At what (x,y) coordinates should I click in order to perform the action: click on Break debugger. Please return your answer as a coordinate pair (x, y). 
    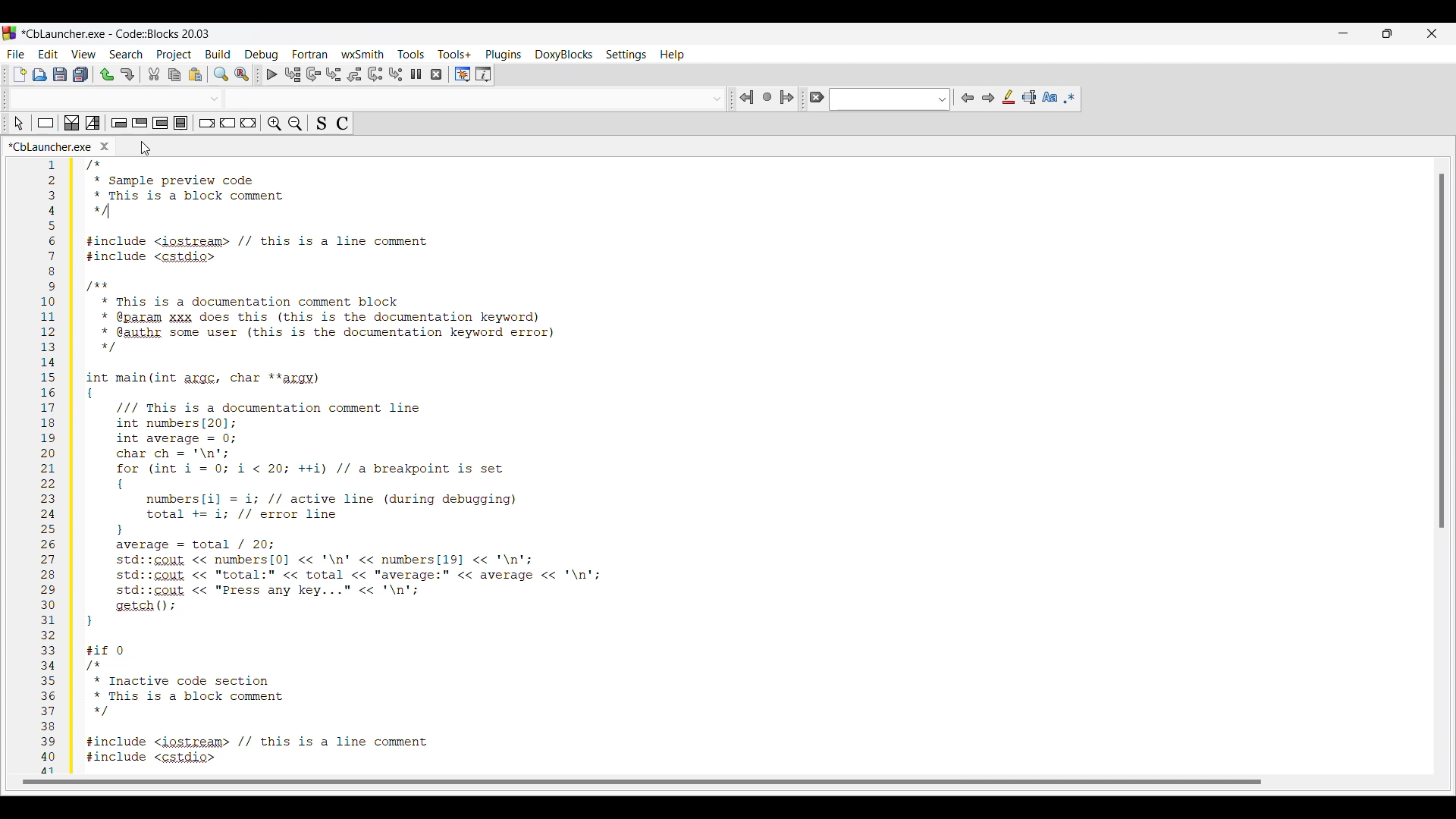
    Looking at the image, I should click on (416, 74).